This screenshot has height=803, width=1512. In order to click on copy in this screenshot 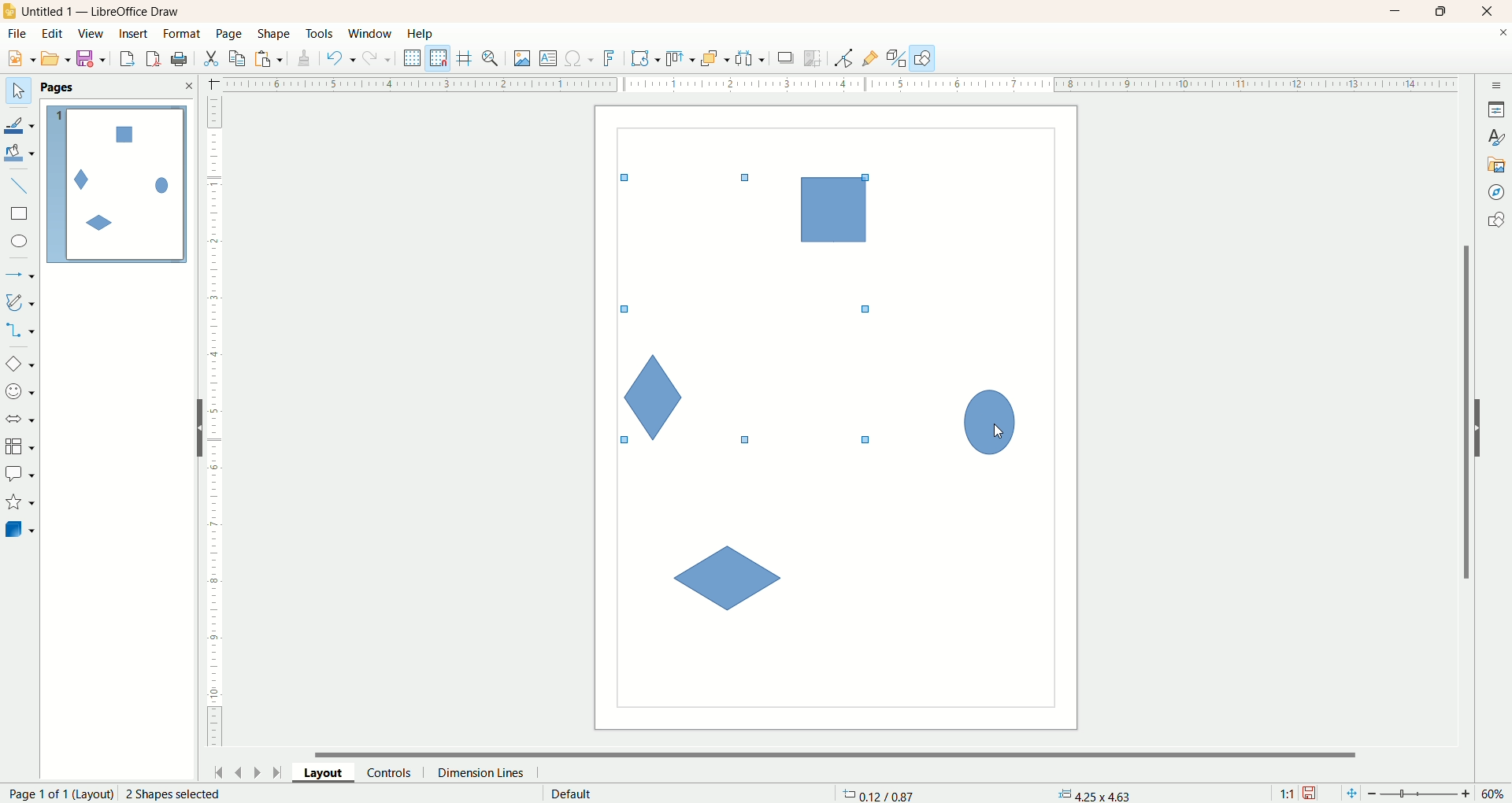, I will do `click(238, 58)`.